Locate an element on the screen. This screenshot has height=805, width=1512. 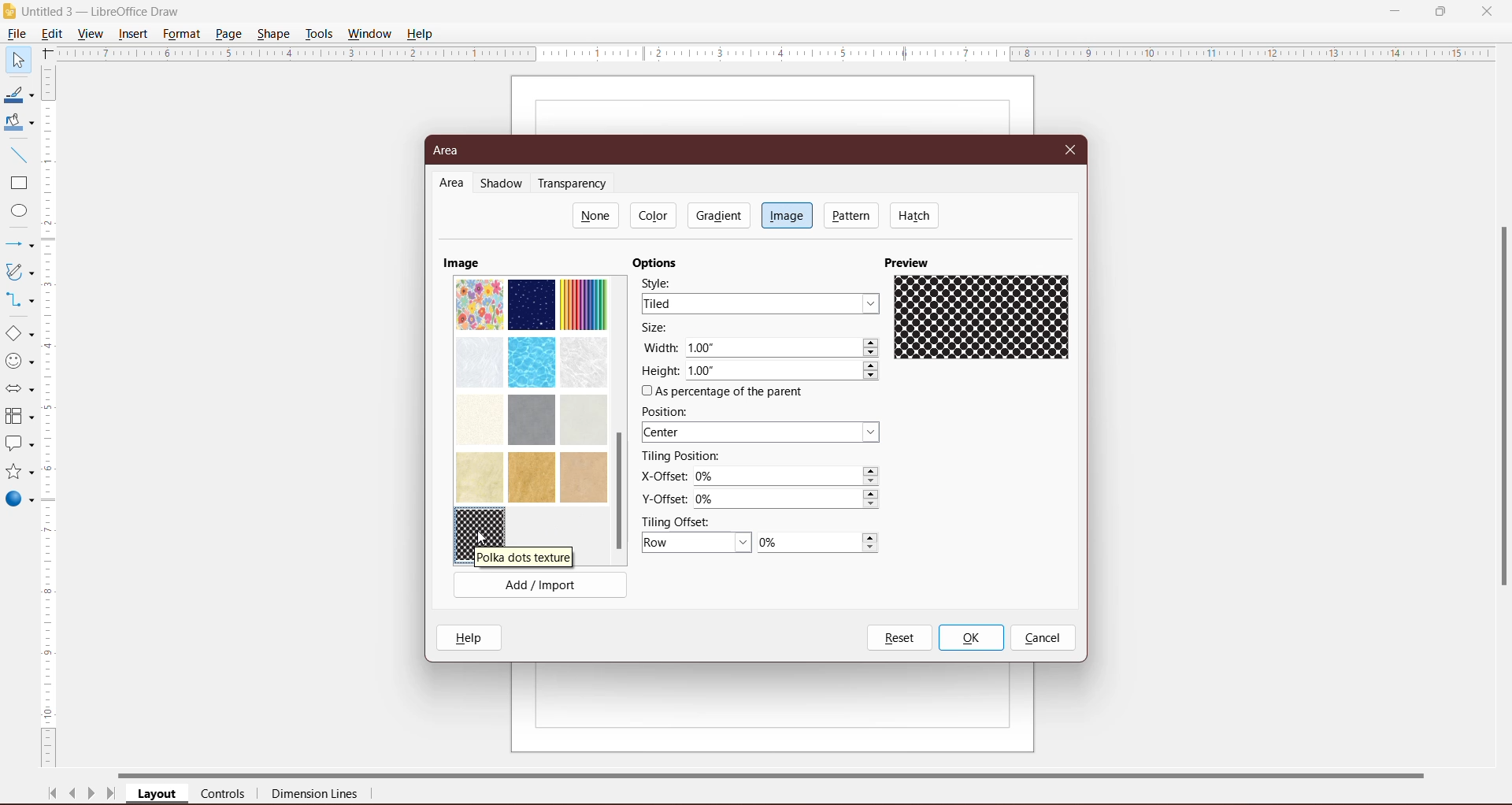
Set required height is located at coordinates (784, 372).